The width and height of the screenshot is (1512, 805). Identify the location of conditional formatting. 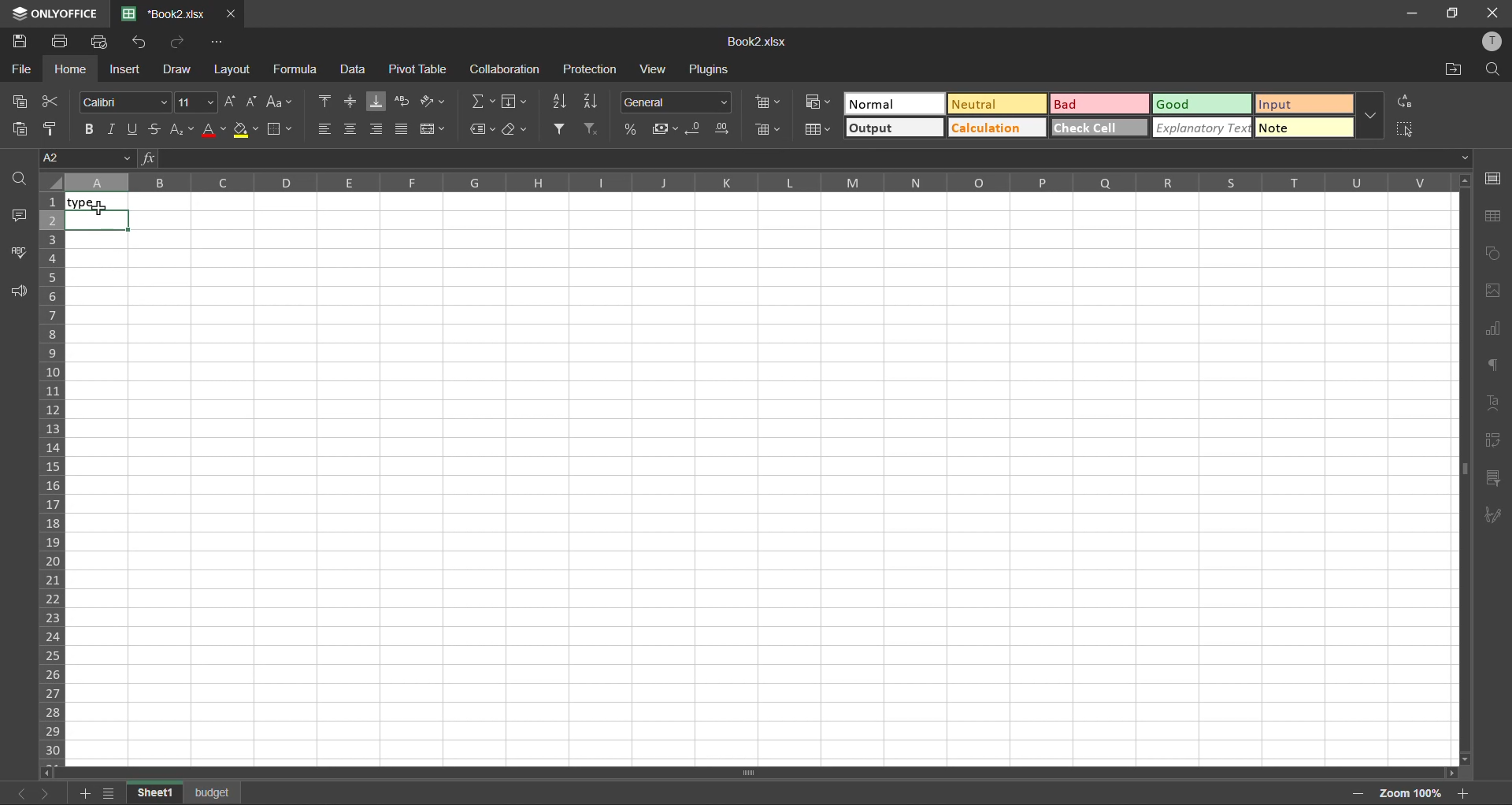
(817, 102).